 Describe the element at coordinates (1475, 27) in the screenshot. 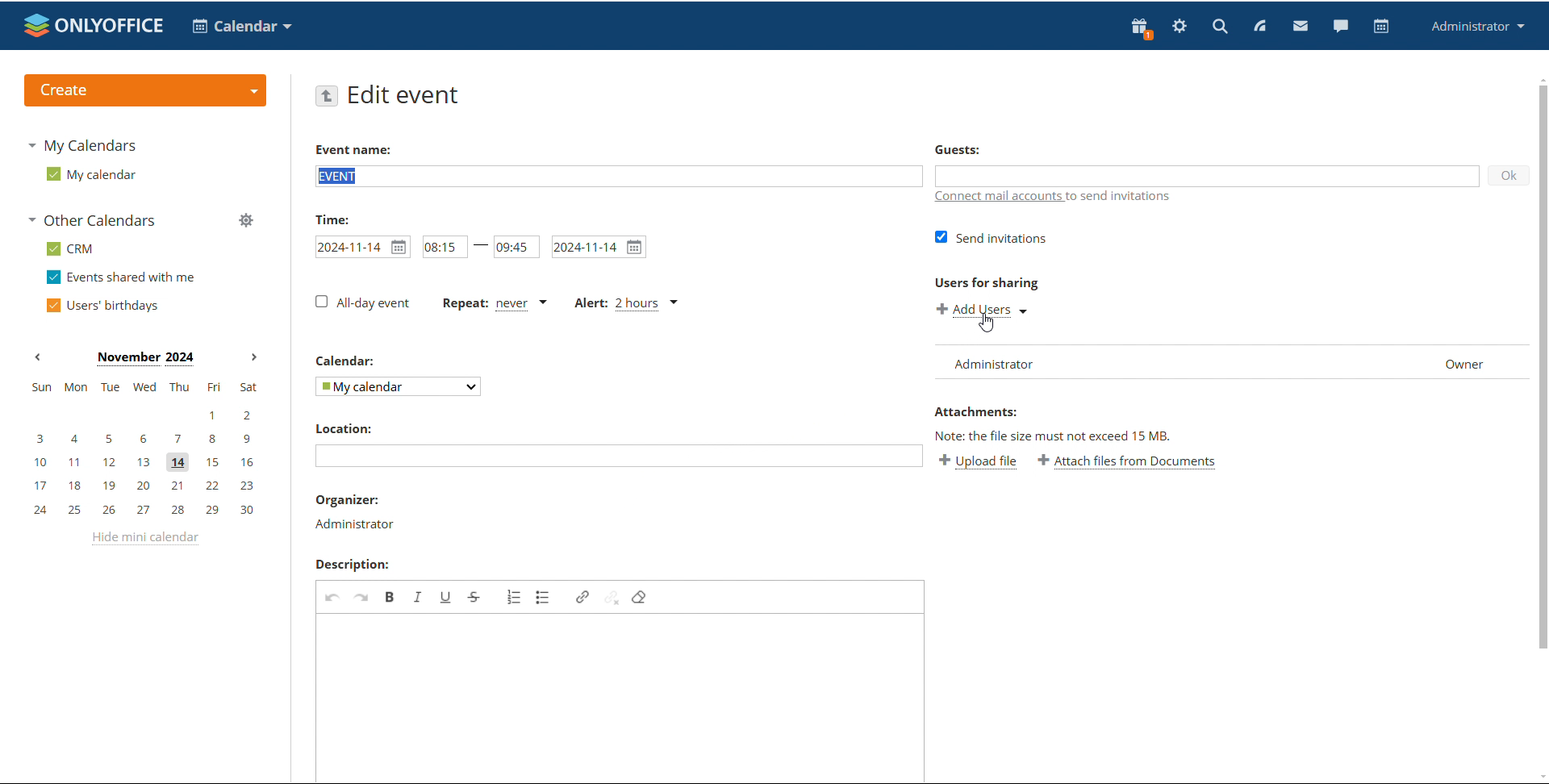

I see `profile` at that location.